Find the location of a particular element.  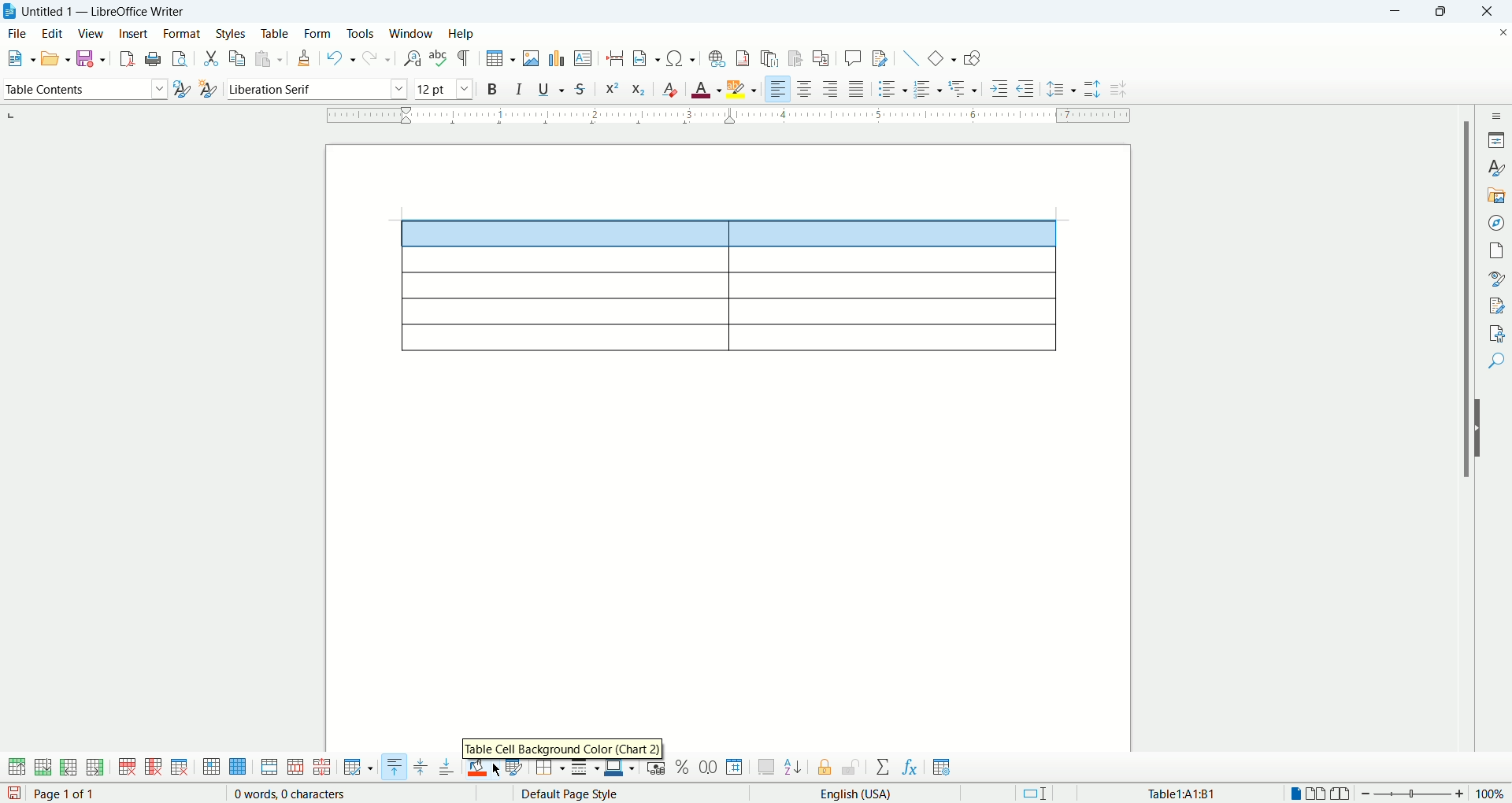

table cell background color is located at coordinates (561, 748).